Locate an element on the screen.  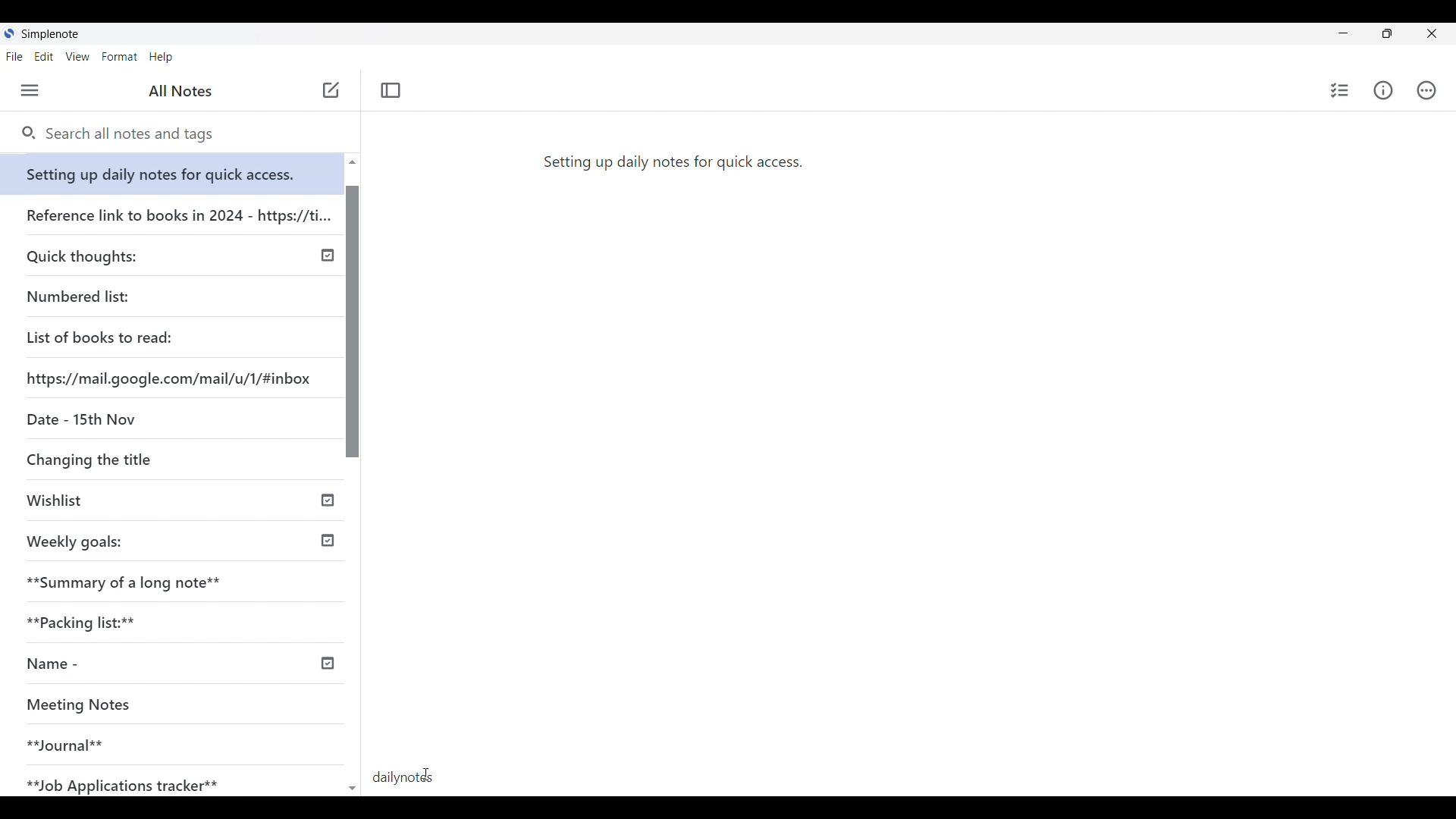
Quick slide to top is located at coordinates (353, 789).